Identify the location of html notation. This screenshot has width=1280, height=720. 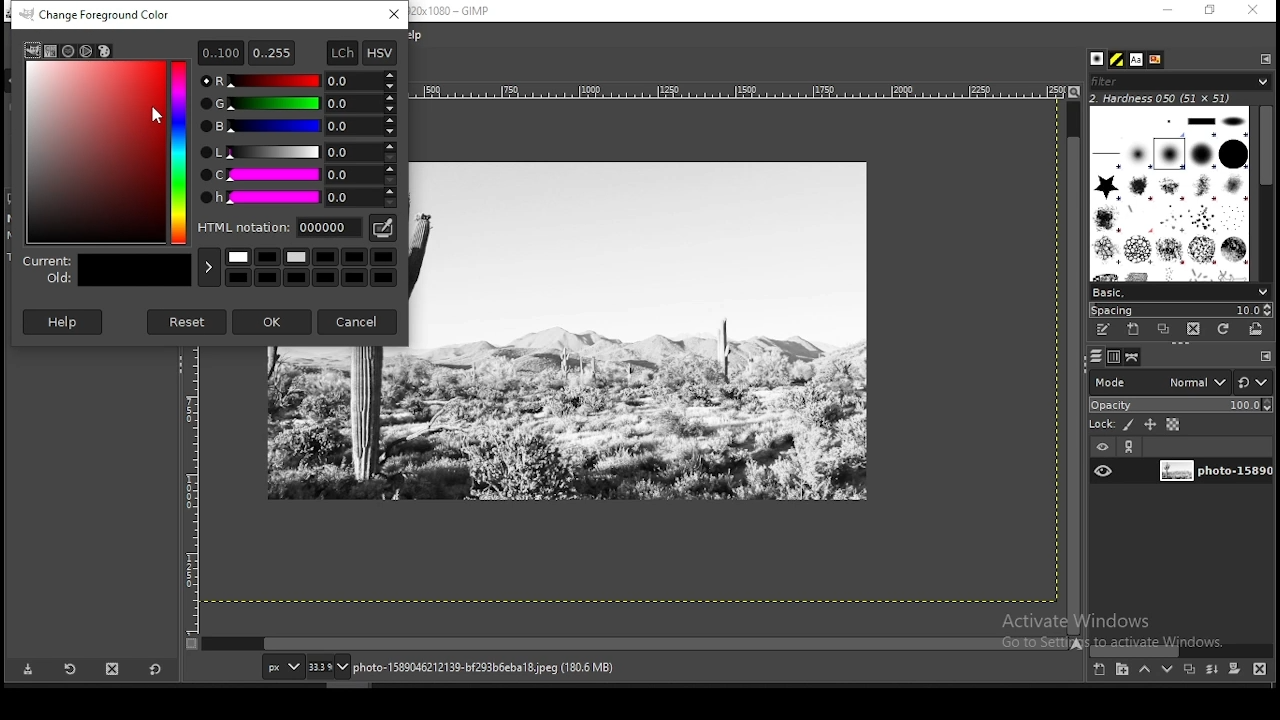
(278, 227).